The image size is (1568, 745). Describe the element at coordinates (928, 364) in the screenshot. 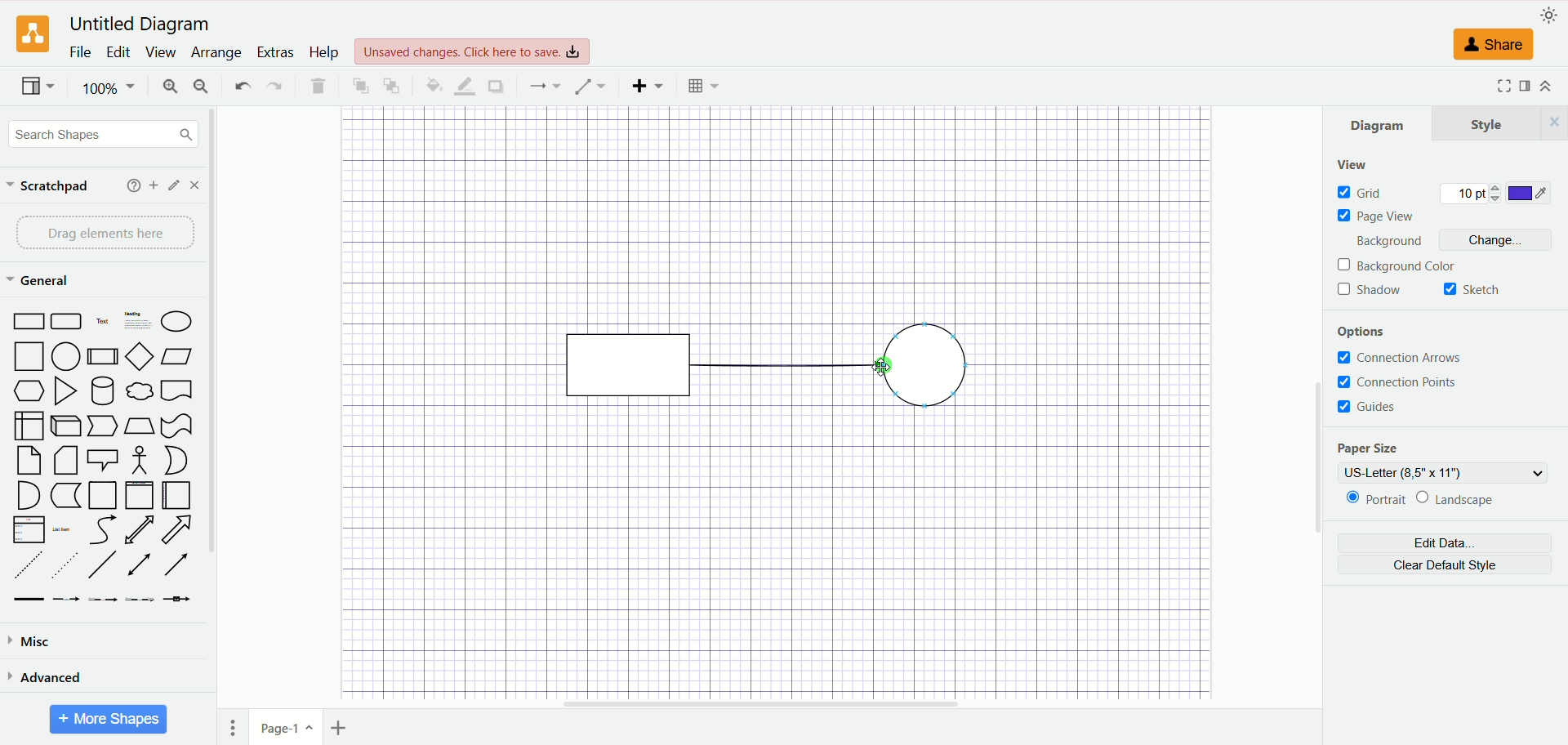

I see `circle` at that location.